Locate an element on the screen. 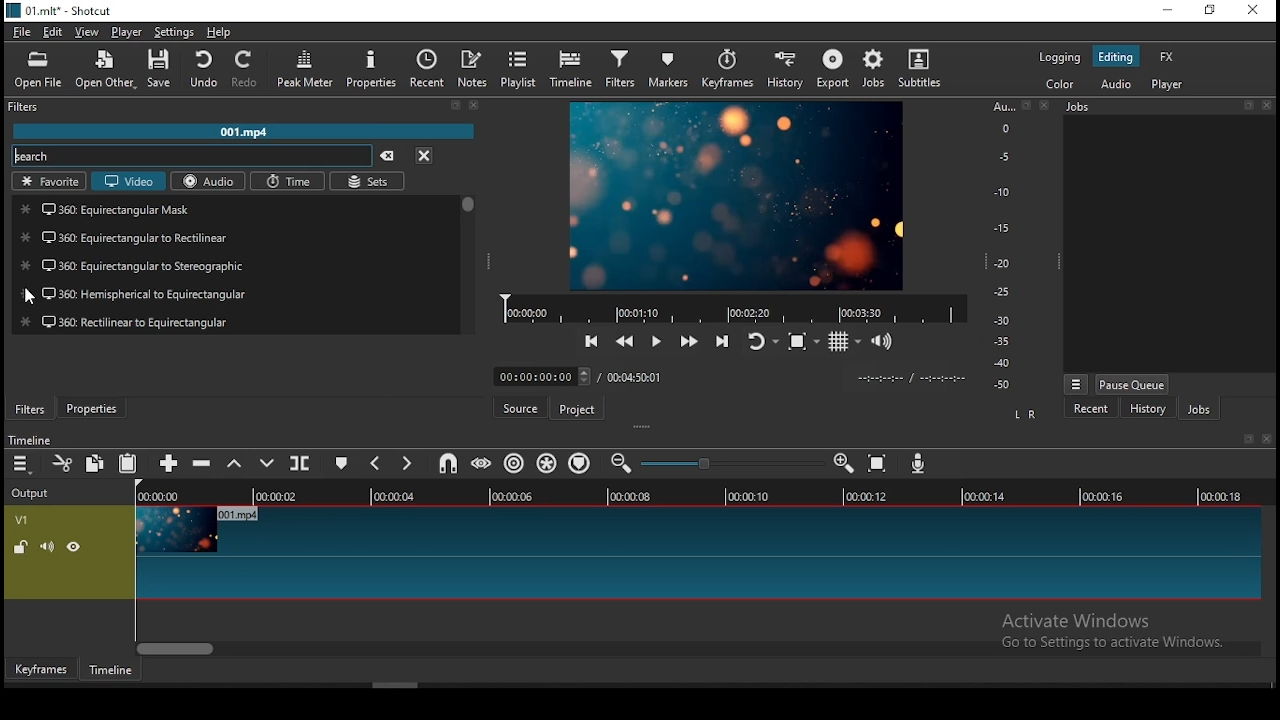  markers is located at coordinates (670, 68).